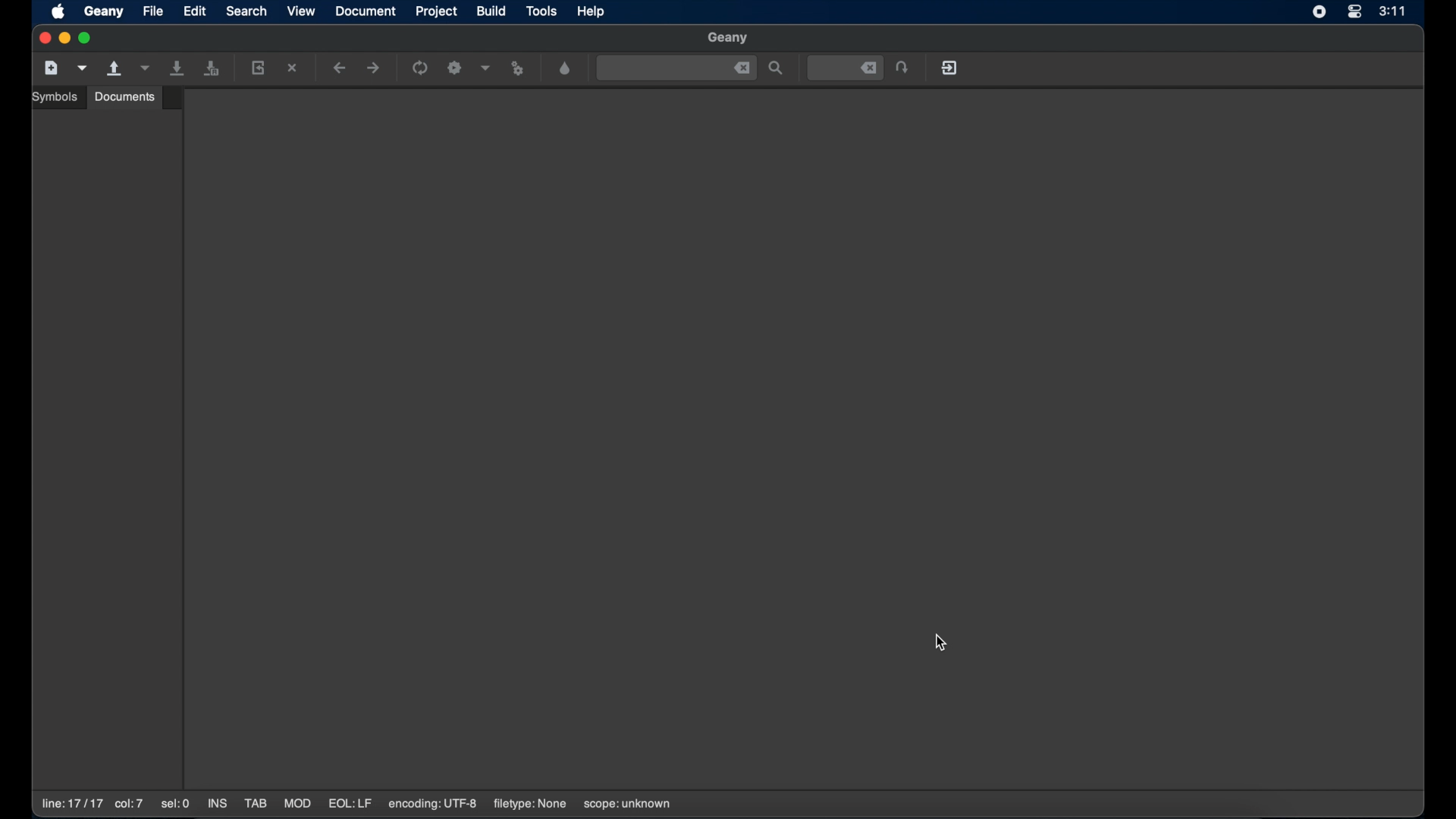  What do you see at coordinates (1319, 12) in the screenshot?
I see `screen recorder icon` at bounding box center [1319, 12].